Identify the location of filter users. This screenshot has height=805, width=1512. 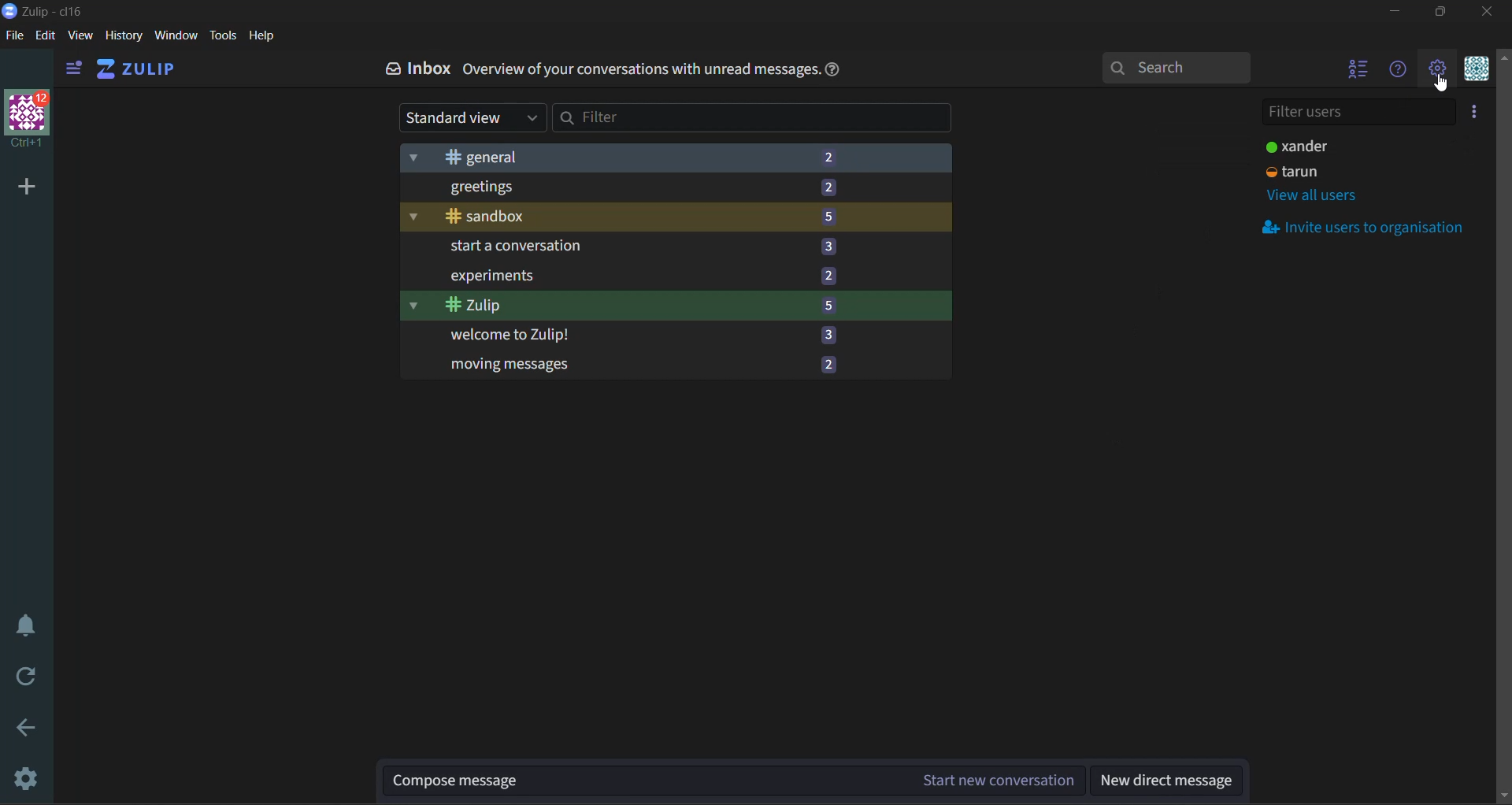
(1357, 113).